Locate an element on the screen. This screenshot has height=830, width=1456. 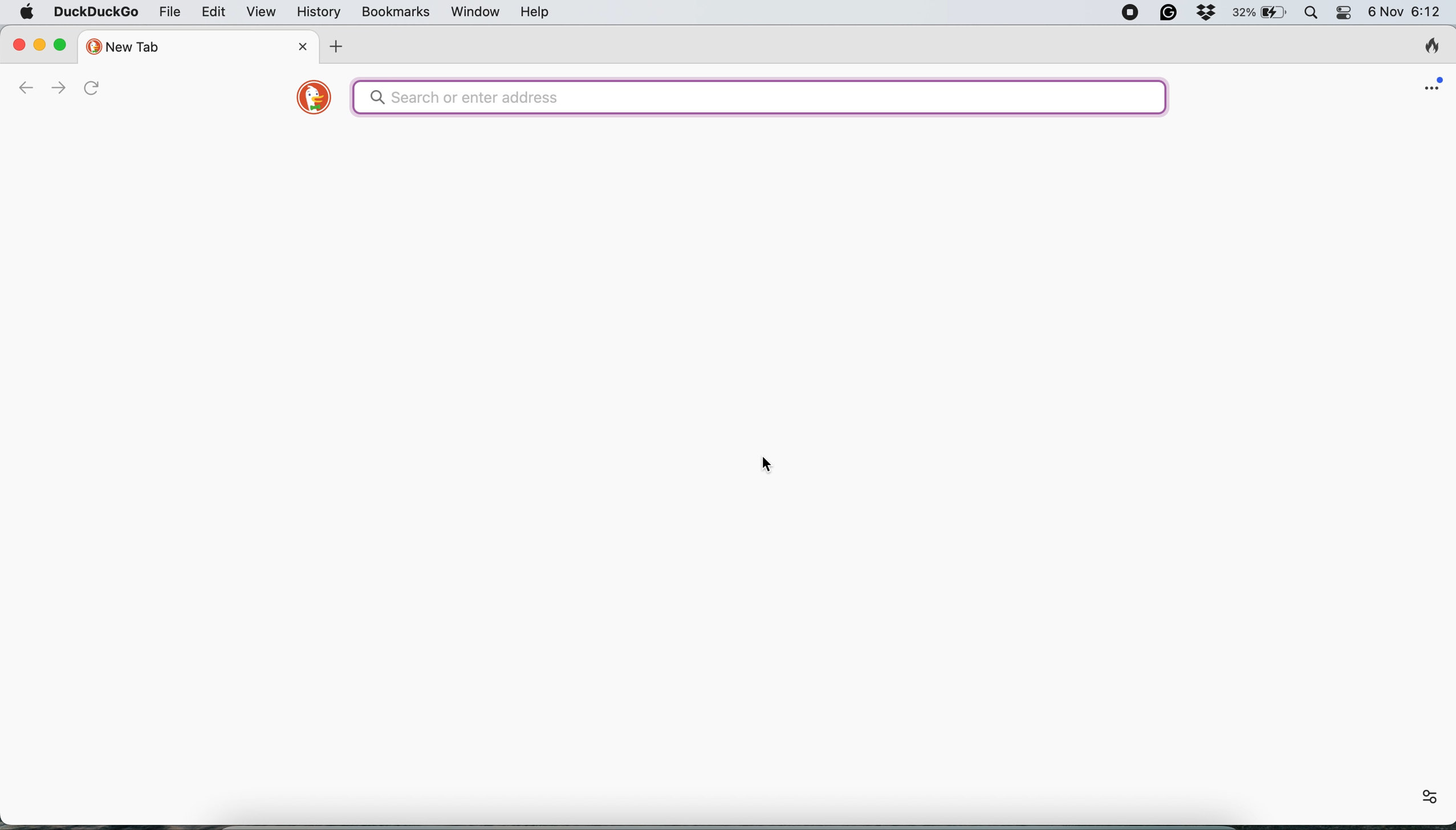
screen recorder is located at coordinates (1130, 13).